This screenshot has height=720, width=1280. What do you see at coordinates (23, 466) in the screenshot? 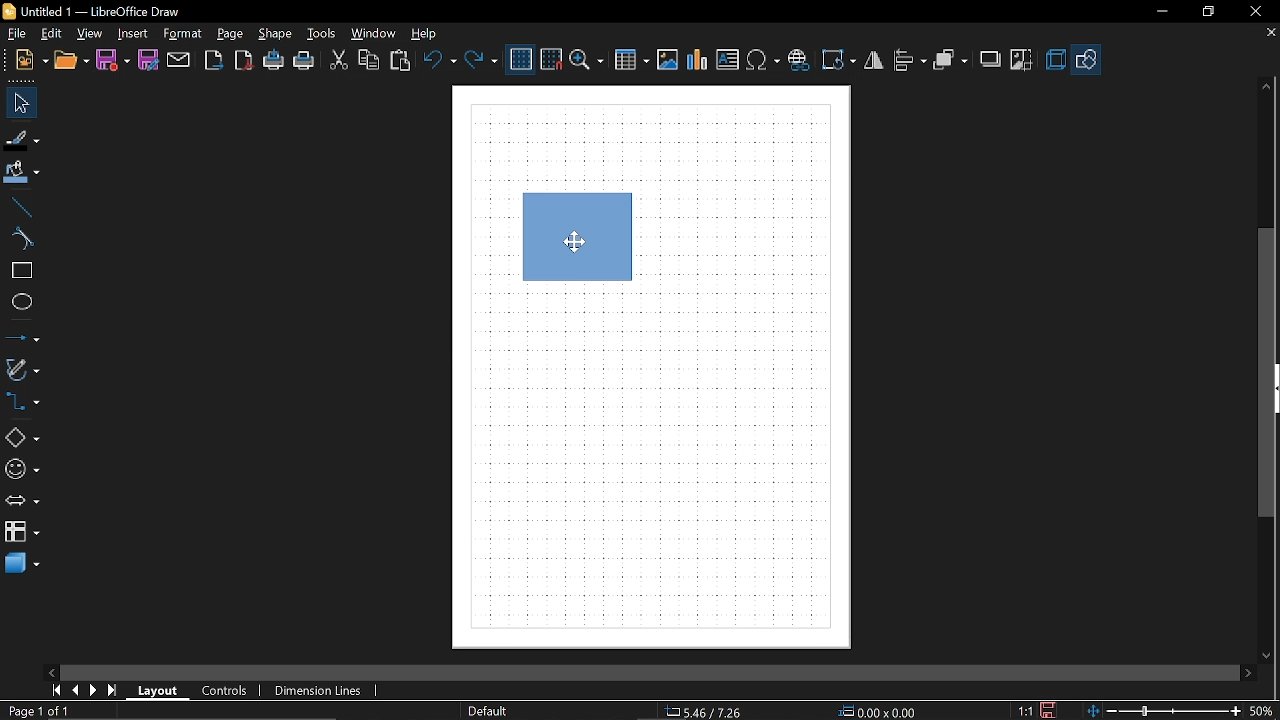
I see `Symbol shapes` at bounding box center [23, 466].